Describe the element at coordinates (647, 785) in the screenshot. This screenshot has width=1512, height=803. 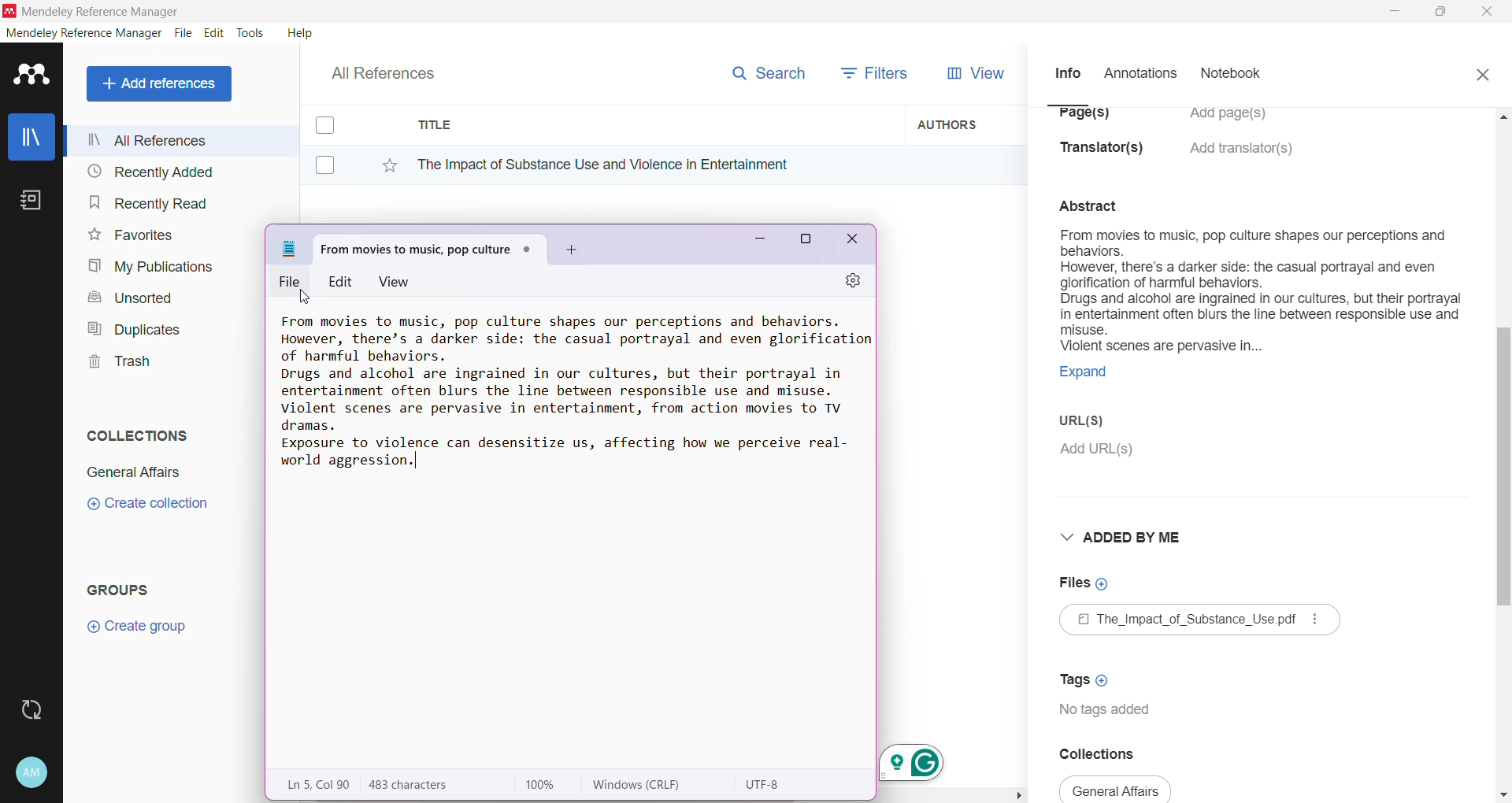
I see `Windows (Carriage Return, Line Feed)` at that location.